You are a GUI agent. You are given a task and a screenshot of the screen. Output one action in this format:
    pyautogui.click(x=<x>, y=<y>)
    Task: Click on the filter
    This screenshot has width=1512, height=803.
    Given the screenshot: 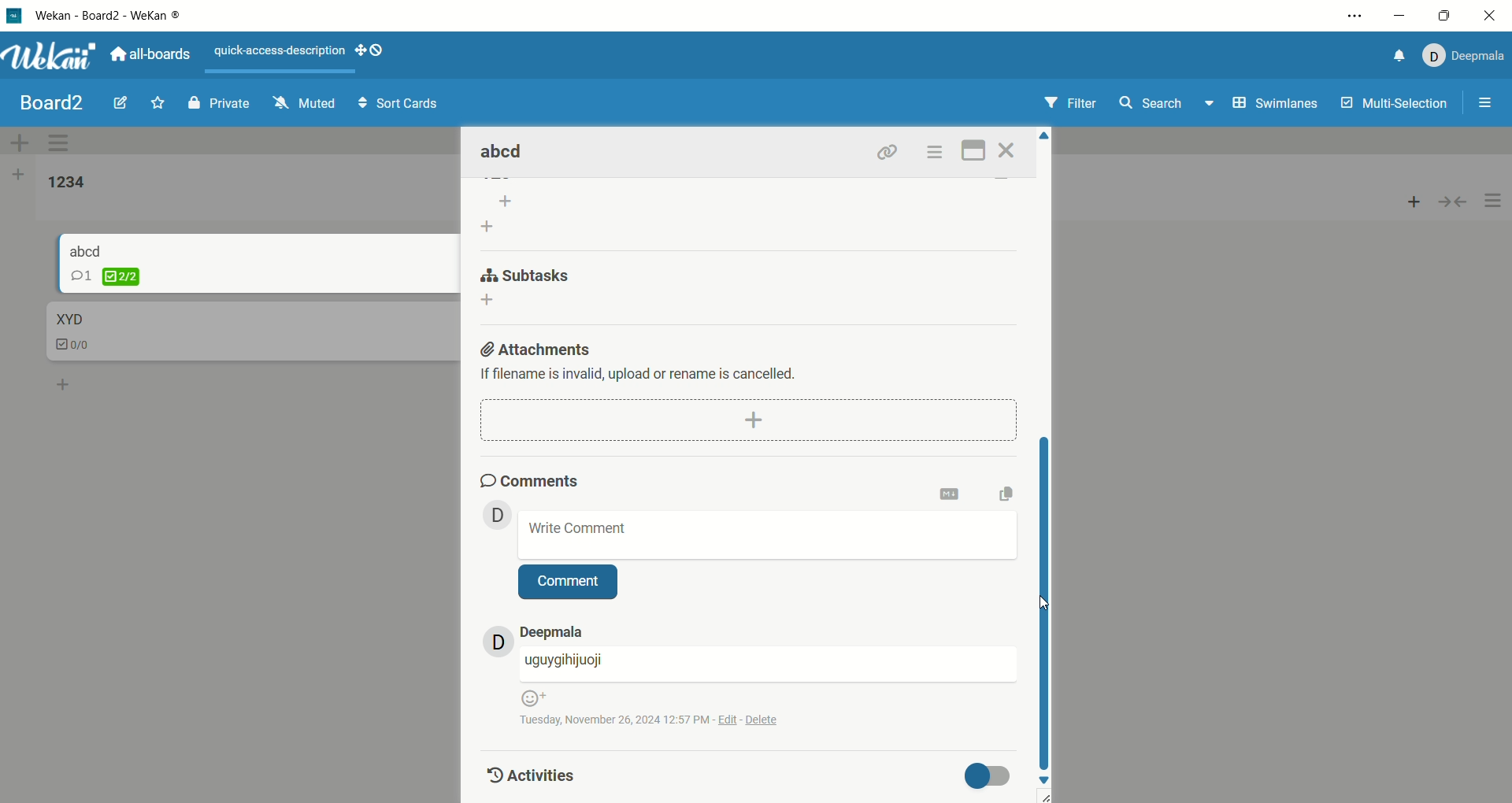 What is the action you would take?
    pyautogui.click(x=1073, y=104)
    